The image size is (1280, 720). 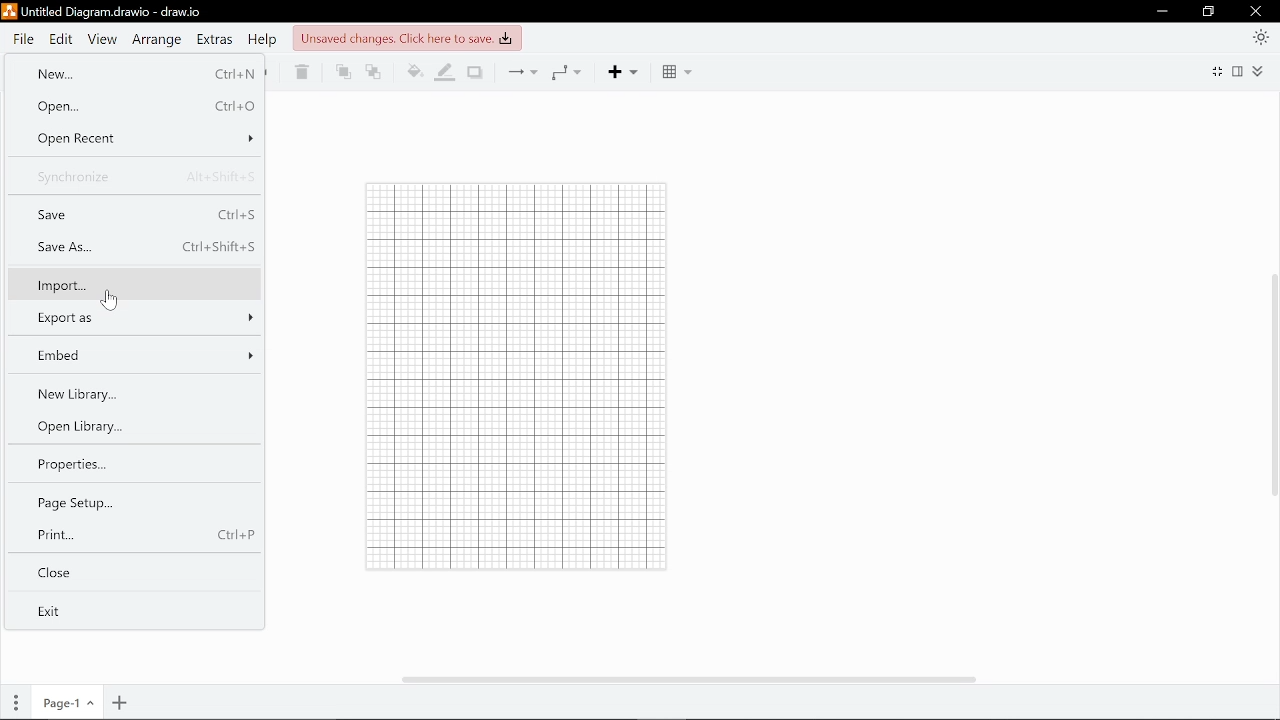 I want to click on Help, so click(x=262, y=40).